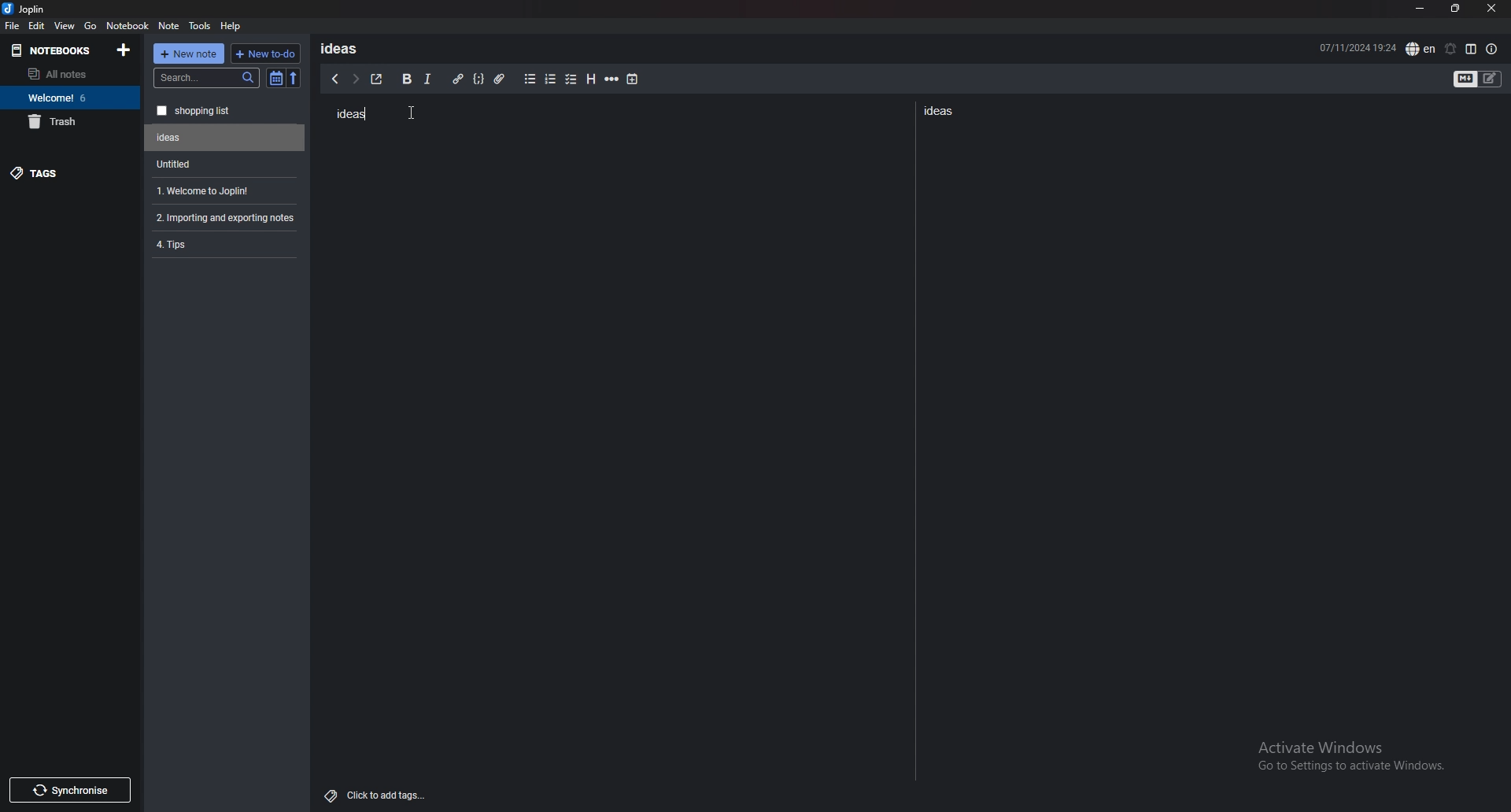 The width and height of the screenshot is (1511, 812). Describe the element at coordinates (1420, 49) in the screenshot. I see `spell check` at that location.